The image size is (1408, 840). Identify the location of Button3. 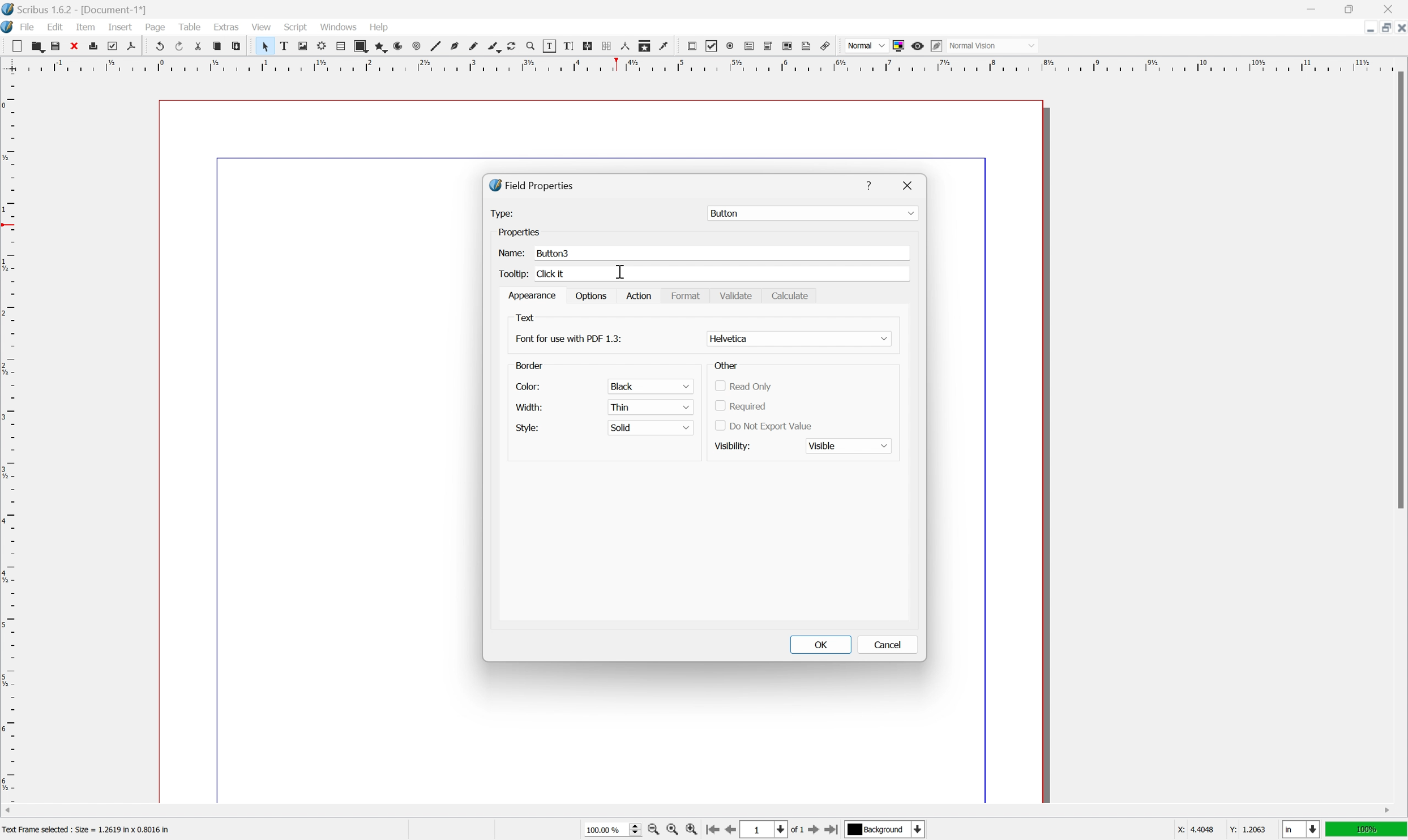
(566, 251).